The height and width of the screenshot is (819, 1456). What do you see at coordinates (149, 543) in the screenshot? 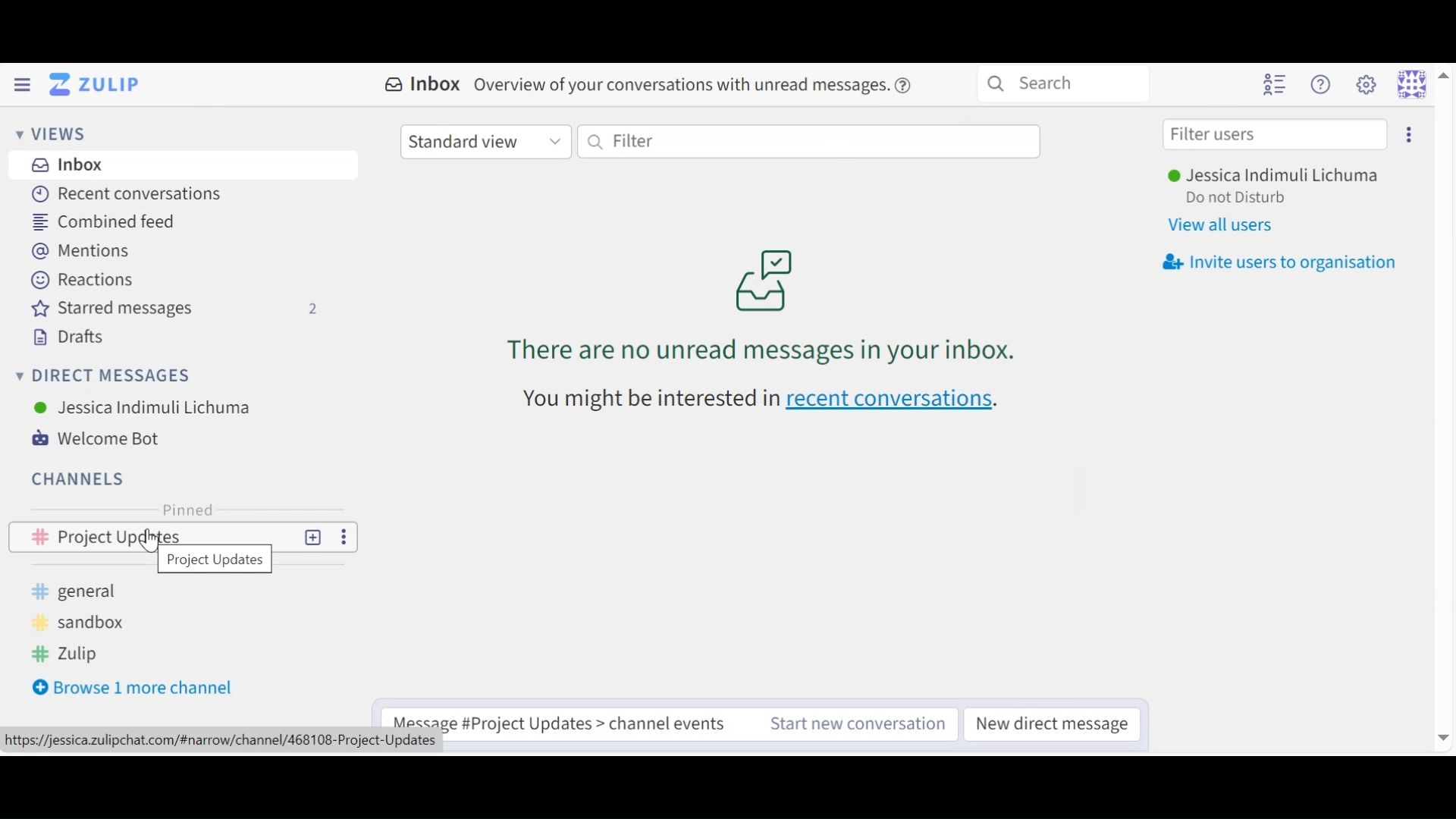
I see `Cursor` at bounding box center [149, 543].